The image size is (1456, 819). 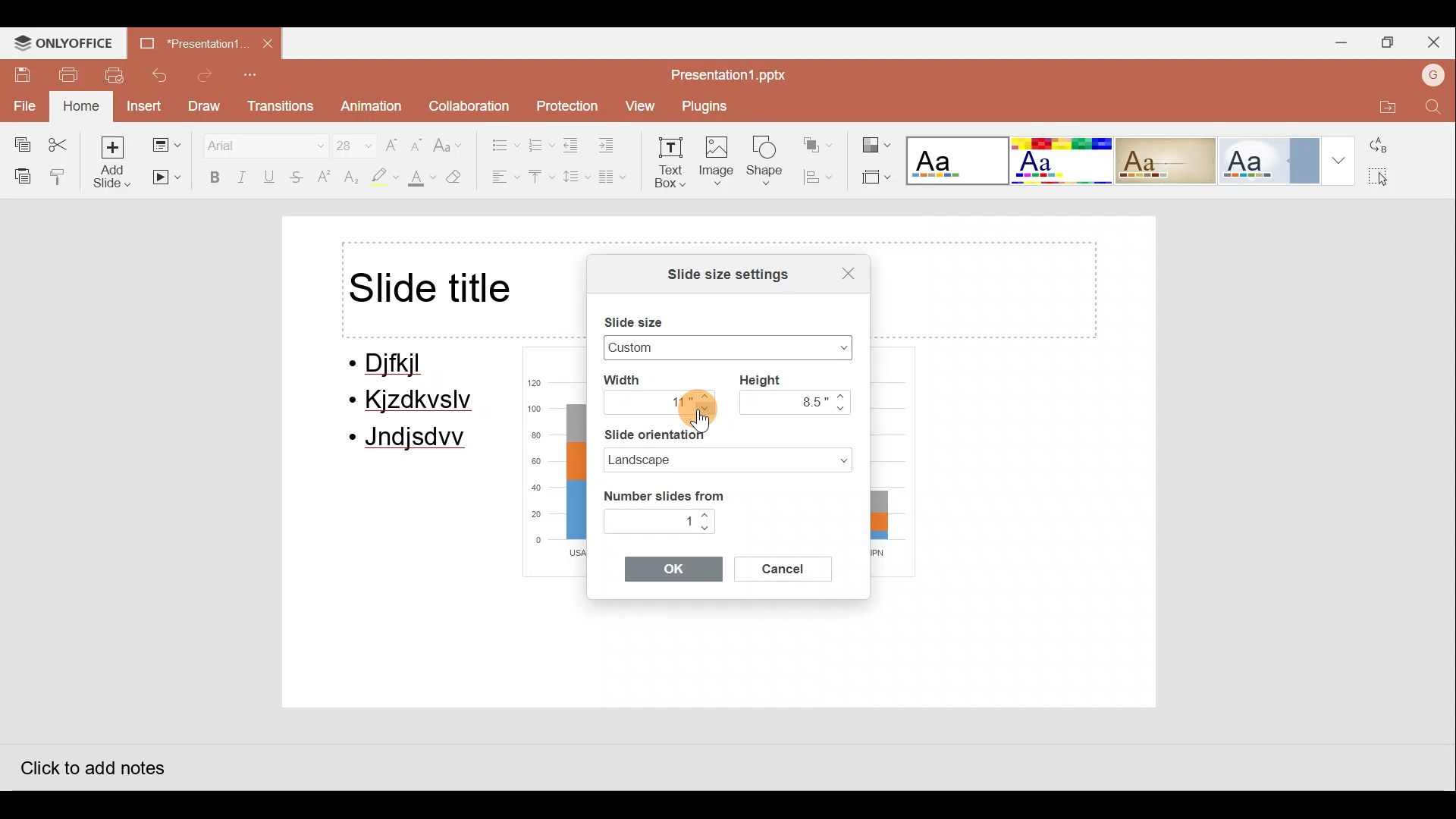 I want to click on Save, so click(x=17, y=70).